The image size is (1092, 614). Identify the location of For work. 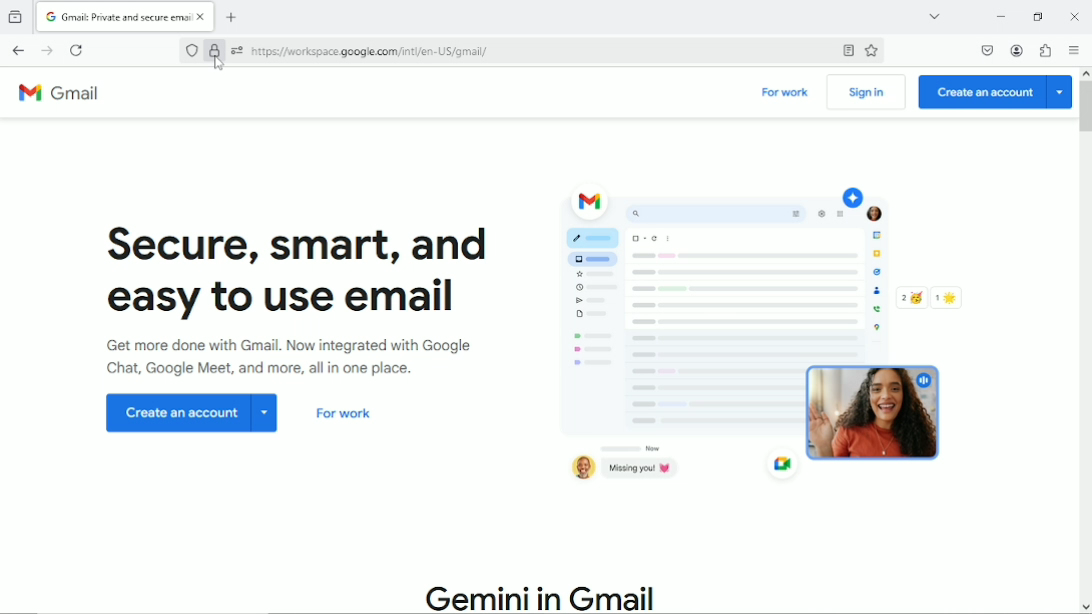
(786, 94).